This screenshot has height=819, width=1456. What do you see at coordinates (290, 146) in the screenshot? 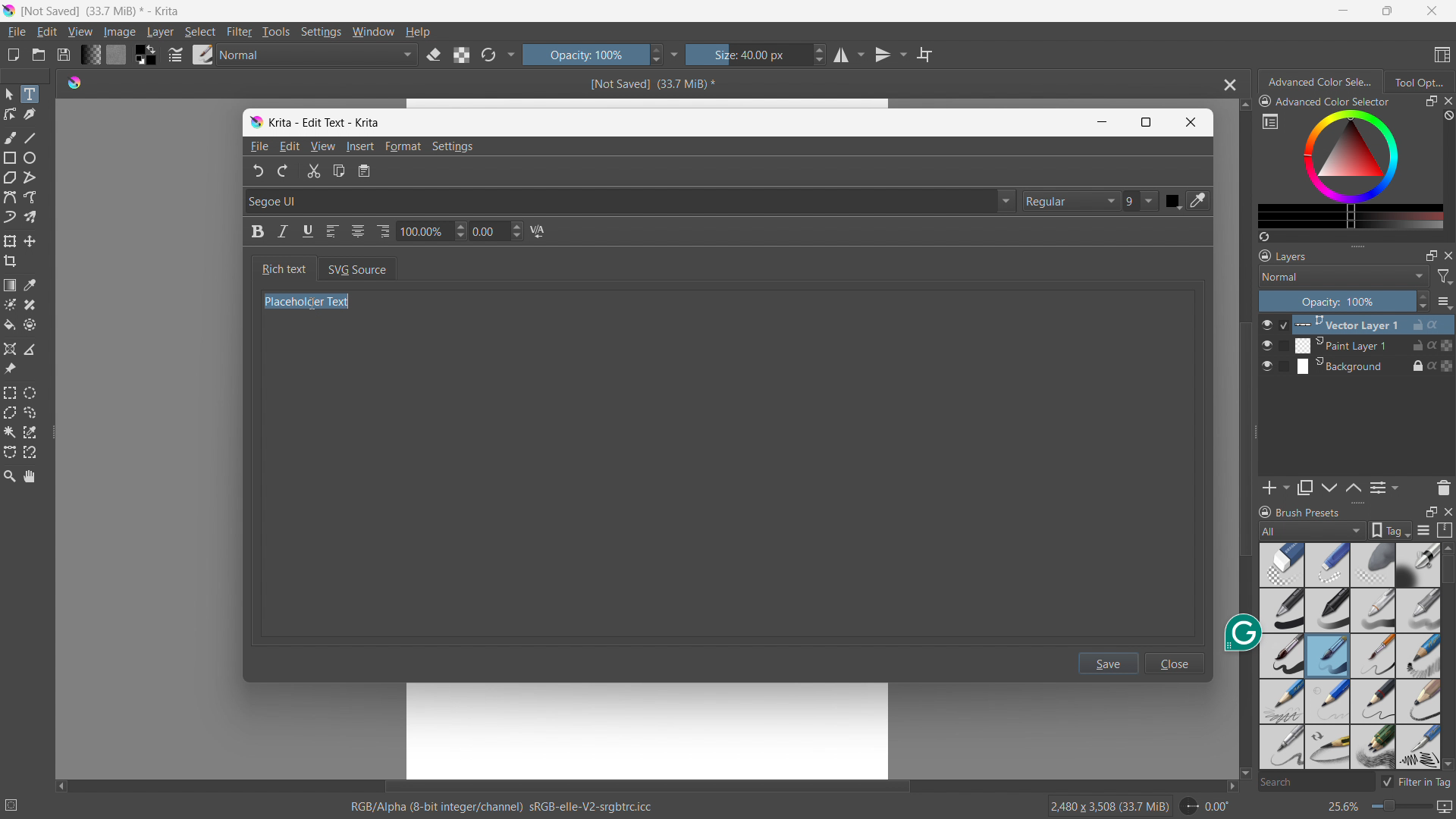
I see `Edit` at bounding box center [290, 146].